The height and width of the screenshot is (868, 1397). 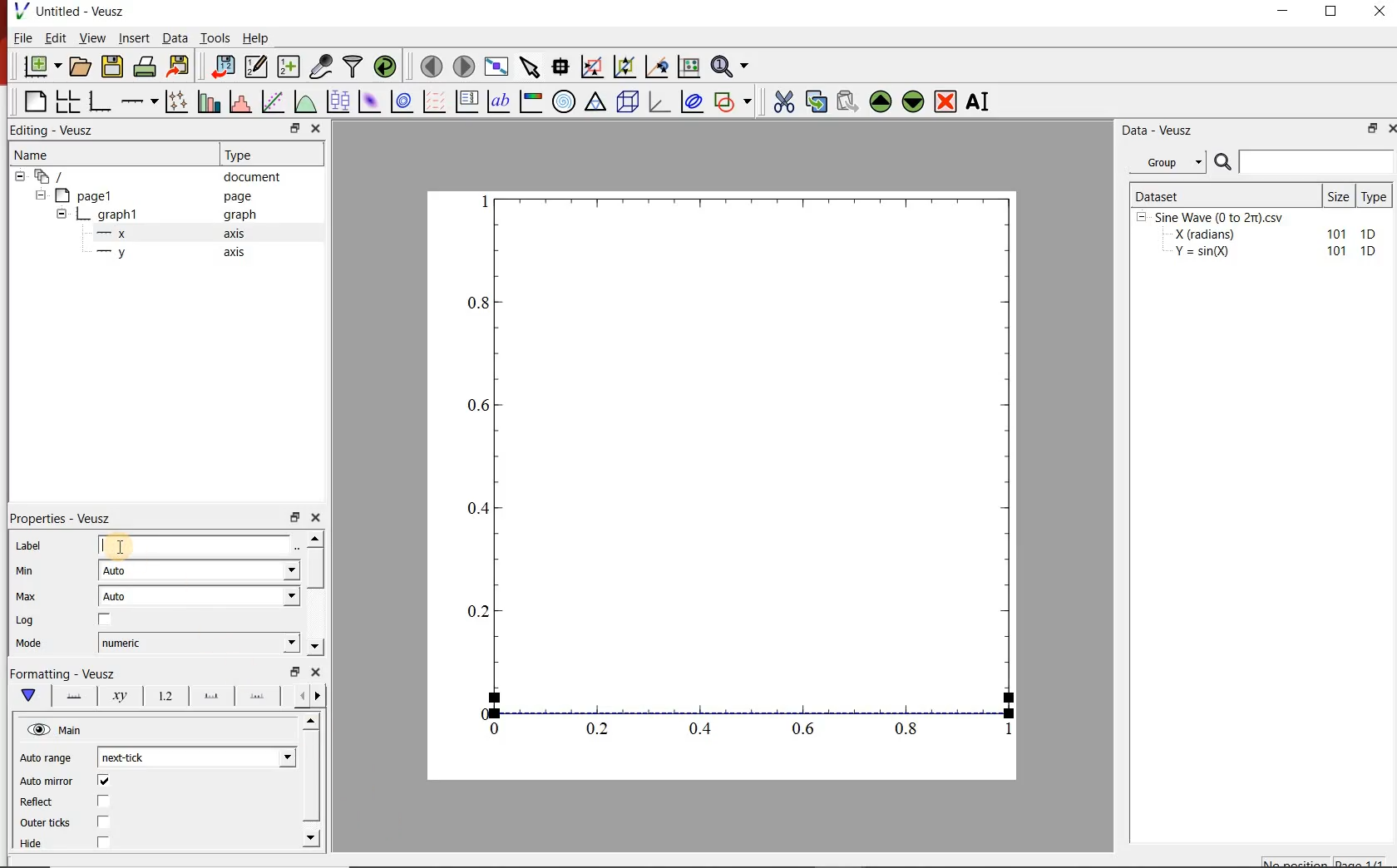 I want to click on read data points, so click(x=560, y=65).